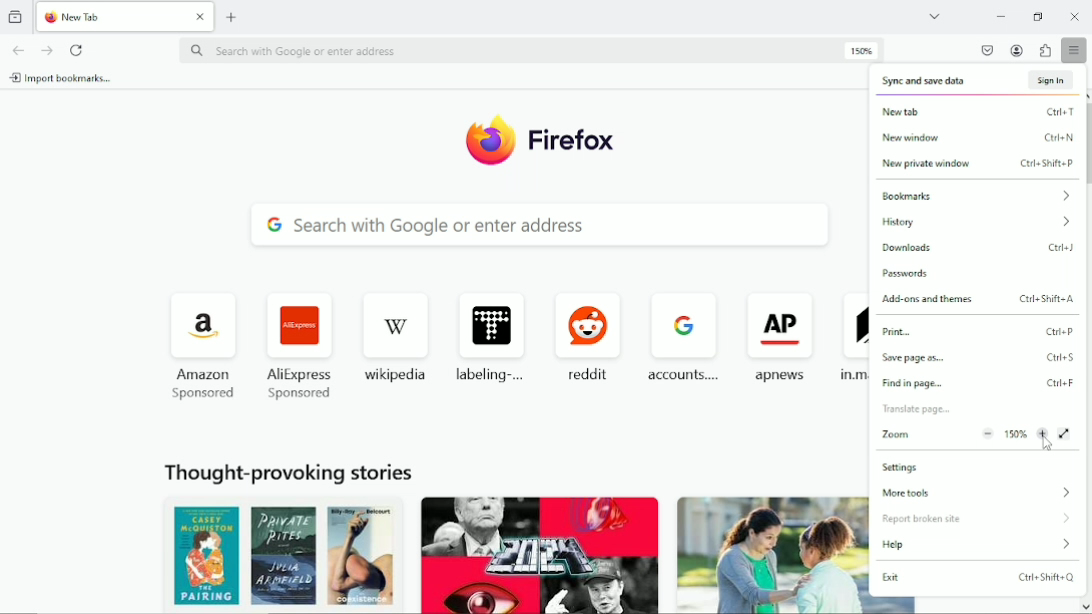 This screenshot has height=614, width=1092. What do you see at coordinates (399, 336) in the screenshot?
I see `wikipedia` at bounding box center [399, 336].